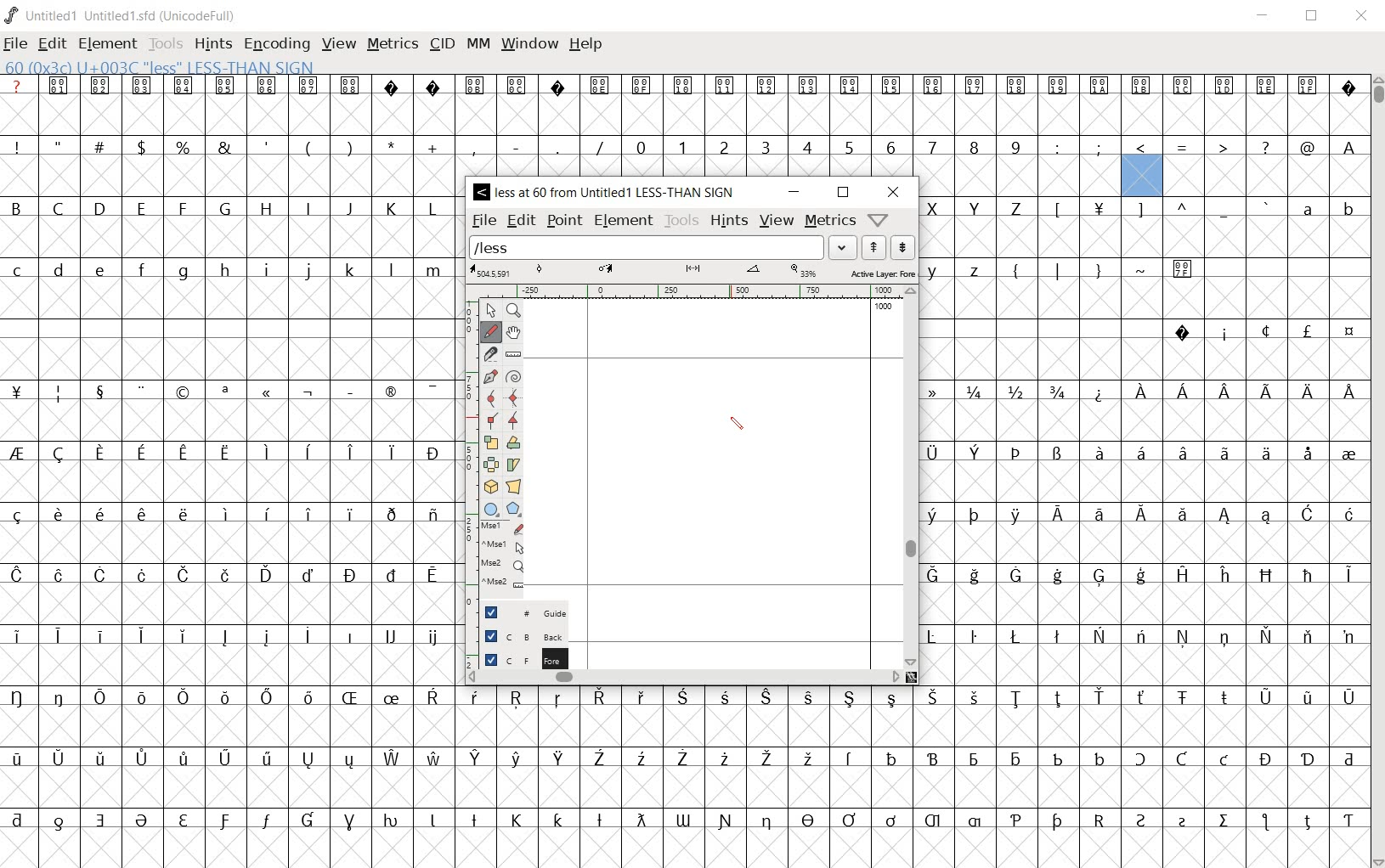  I want to click on metrics, so click(830, 222).